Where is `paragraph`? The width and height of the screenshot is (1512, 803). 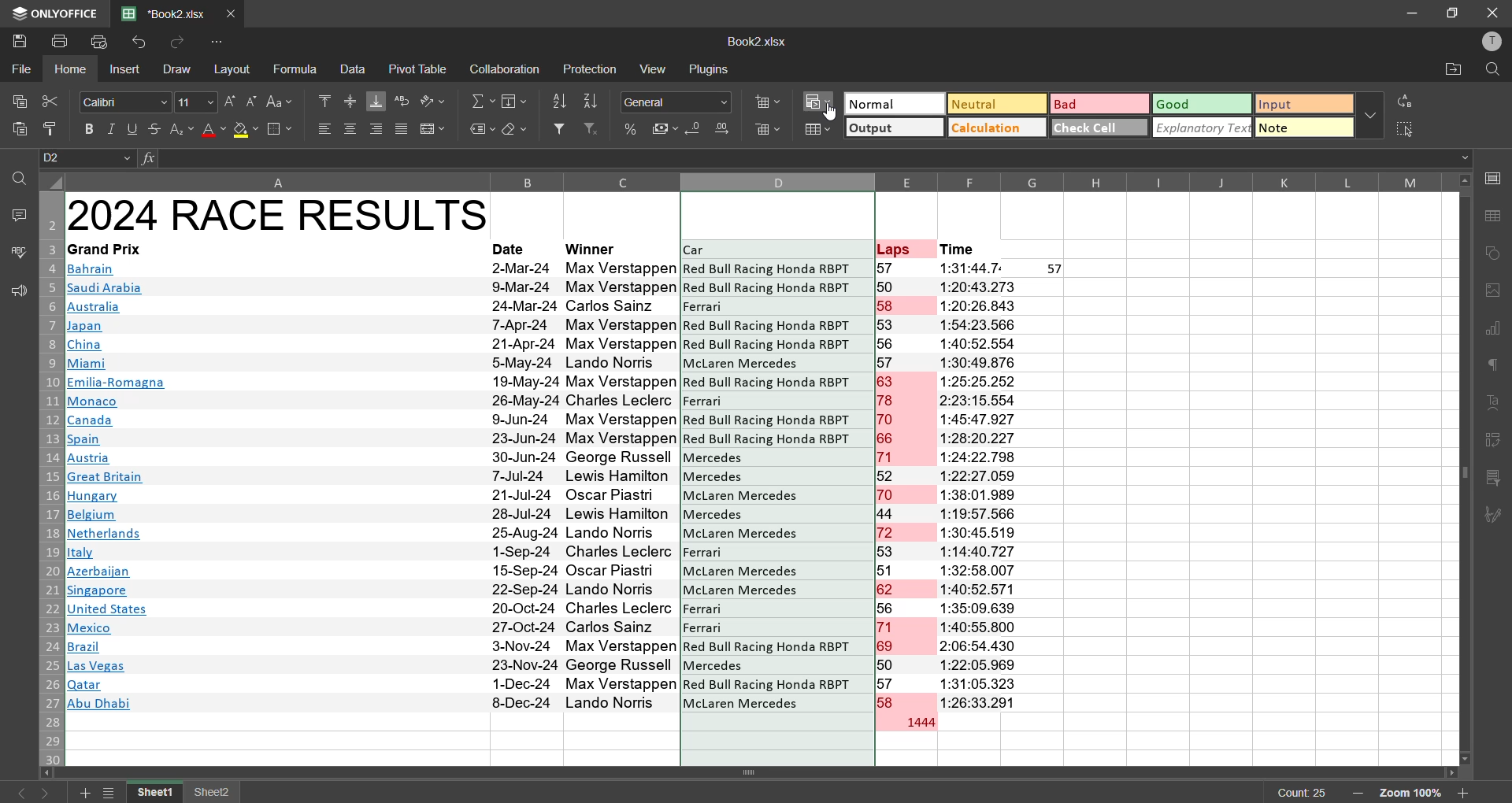 paragraph is located at coordinates (1496, 368).